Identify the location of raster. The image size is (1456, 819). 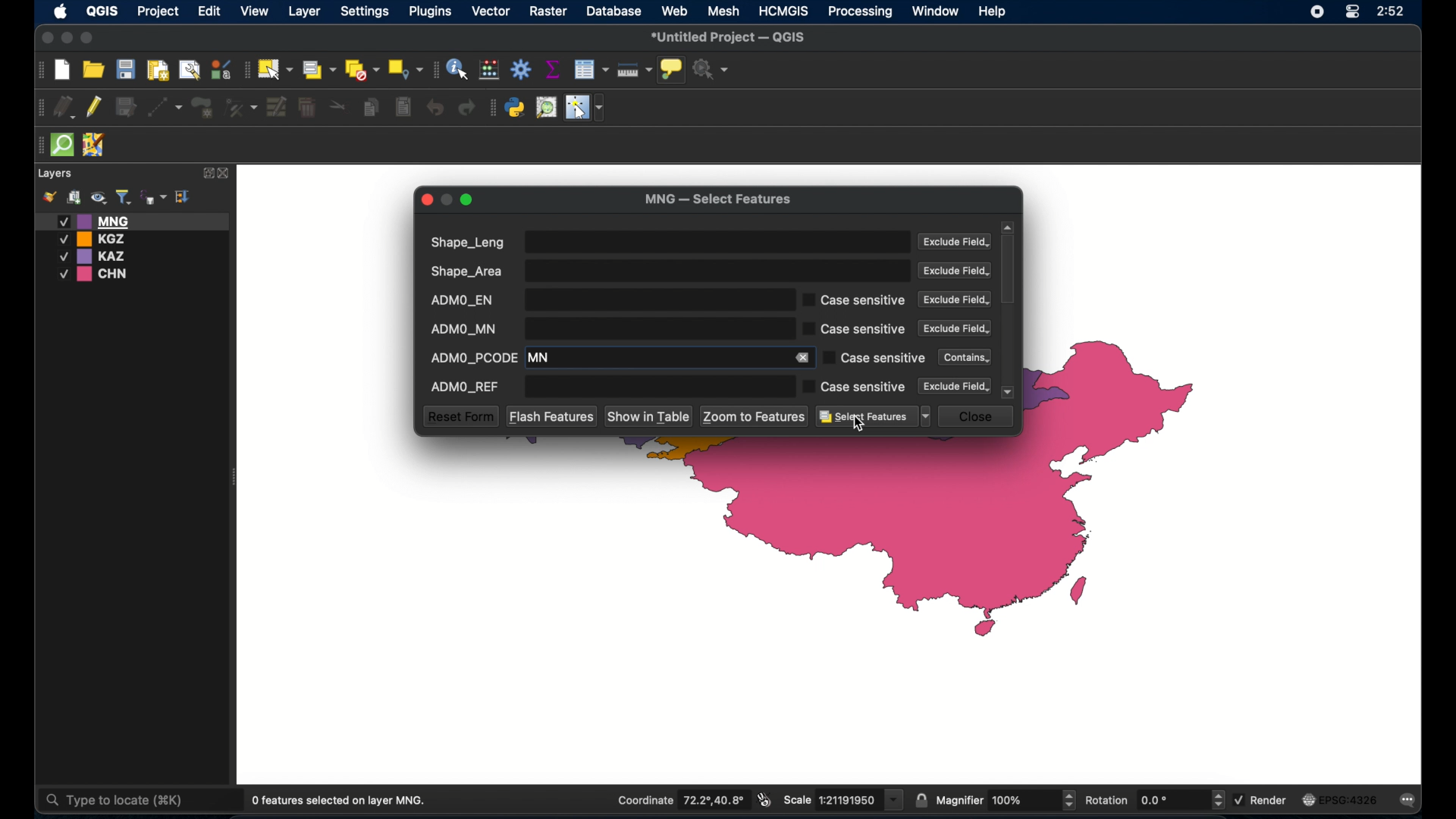
(551, 12).